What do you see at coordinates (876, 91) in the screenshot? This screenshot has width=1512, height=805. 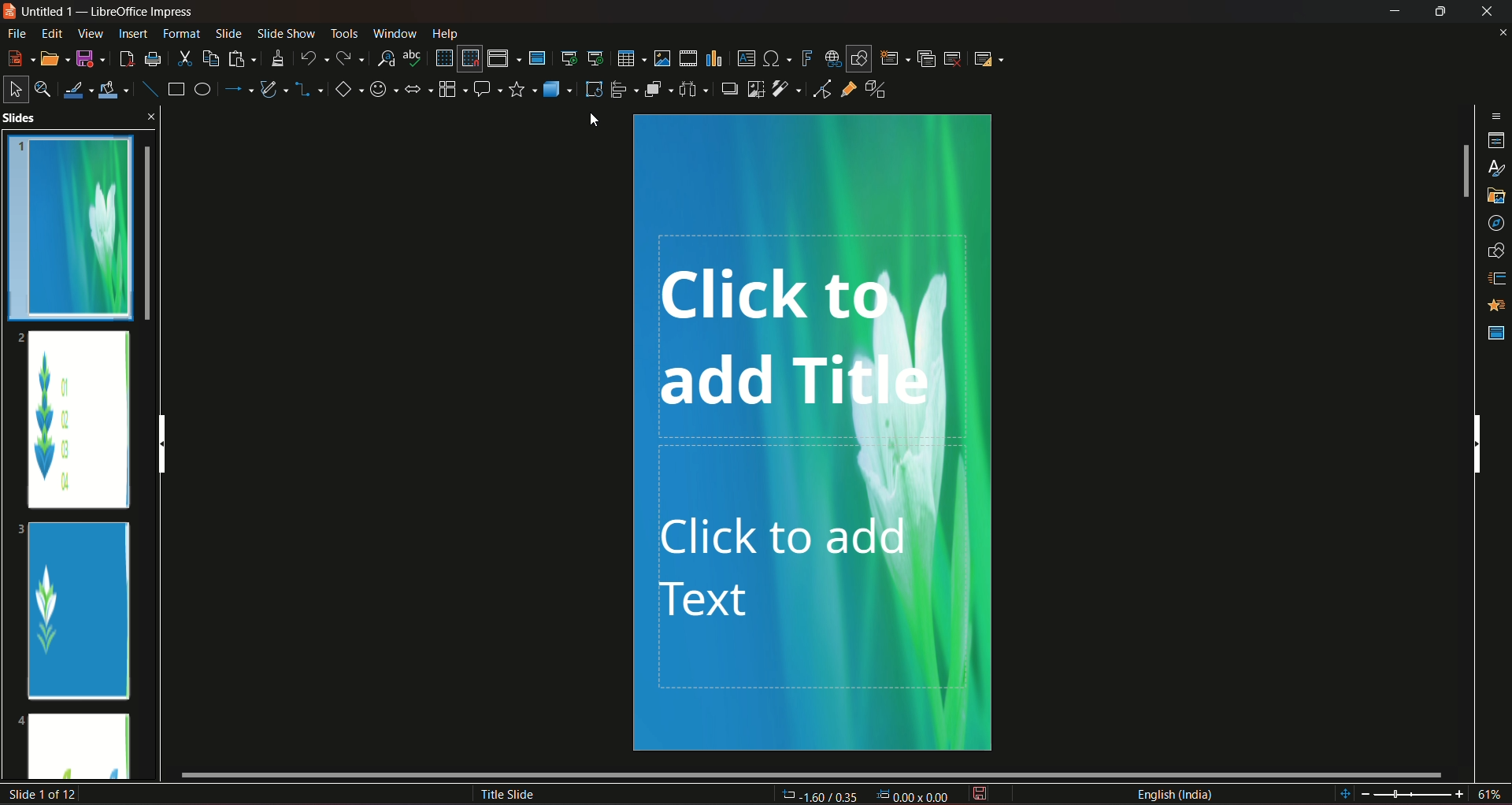 I see `toggle extrusion` at bounding box center [876, 91].